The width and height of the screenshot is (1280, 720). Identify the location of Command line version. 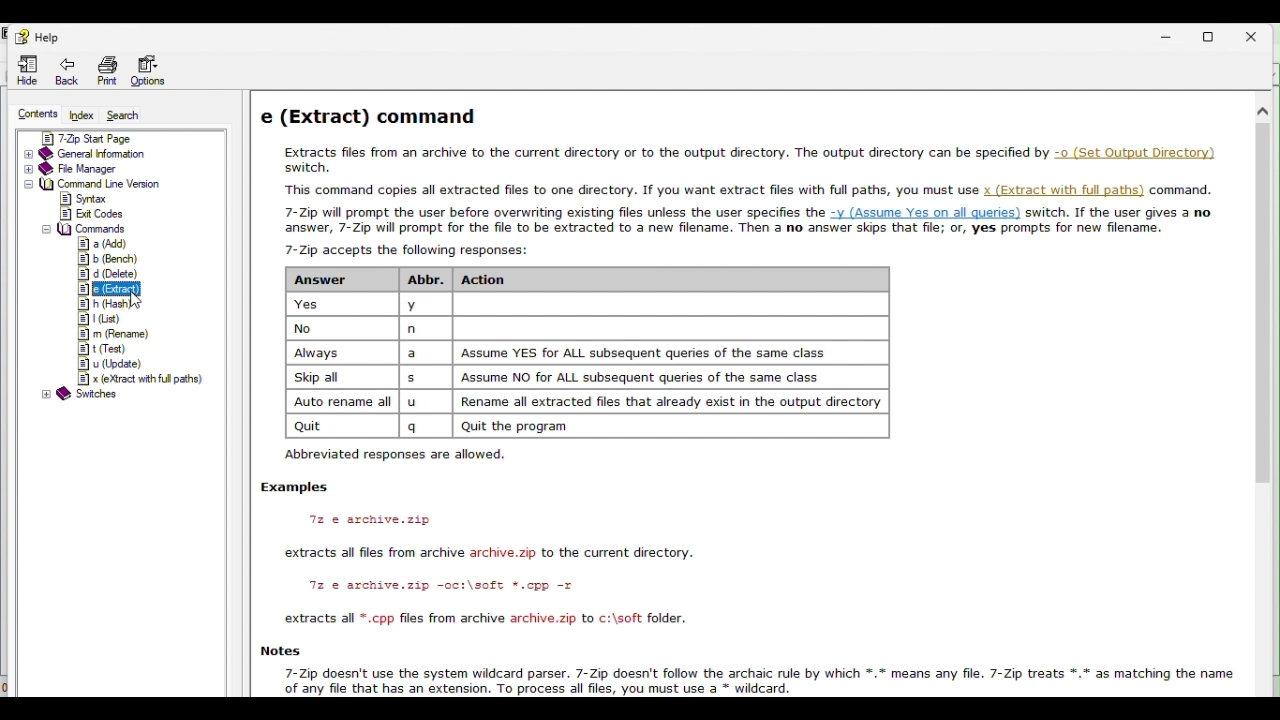
(114, 184).